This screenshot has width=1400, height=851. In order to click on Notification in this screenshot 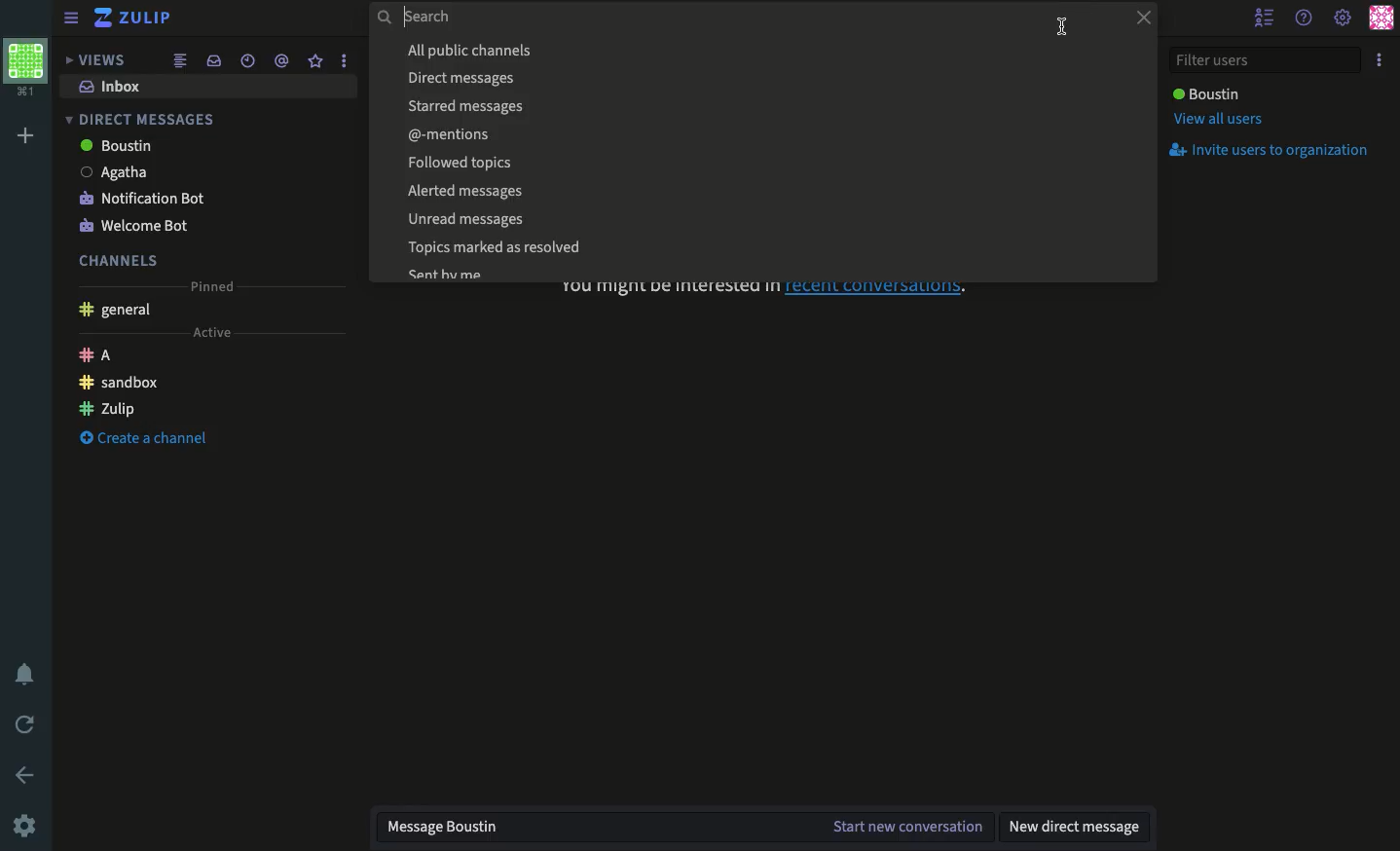, I will do `click(29, 674)`.